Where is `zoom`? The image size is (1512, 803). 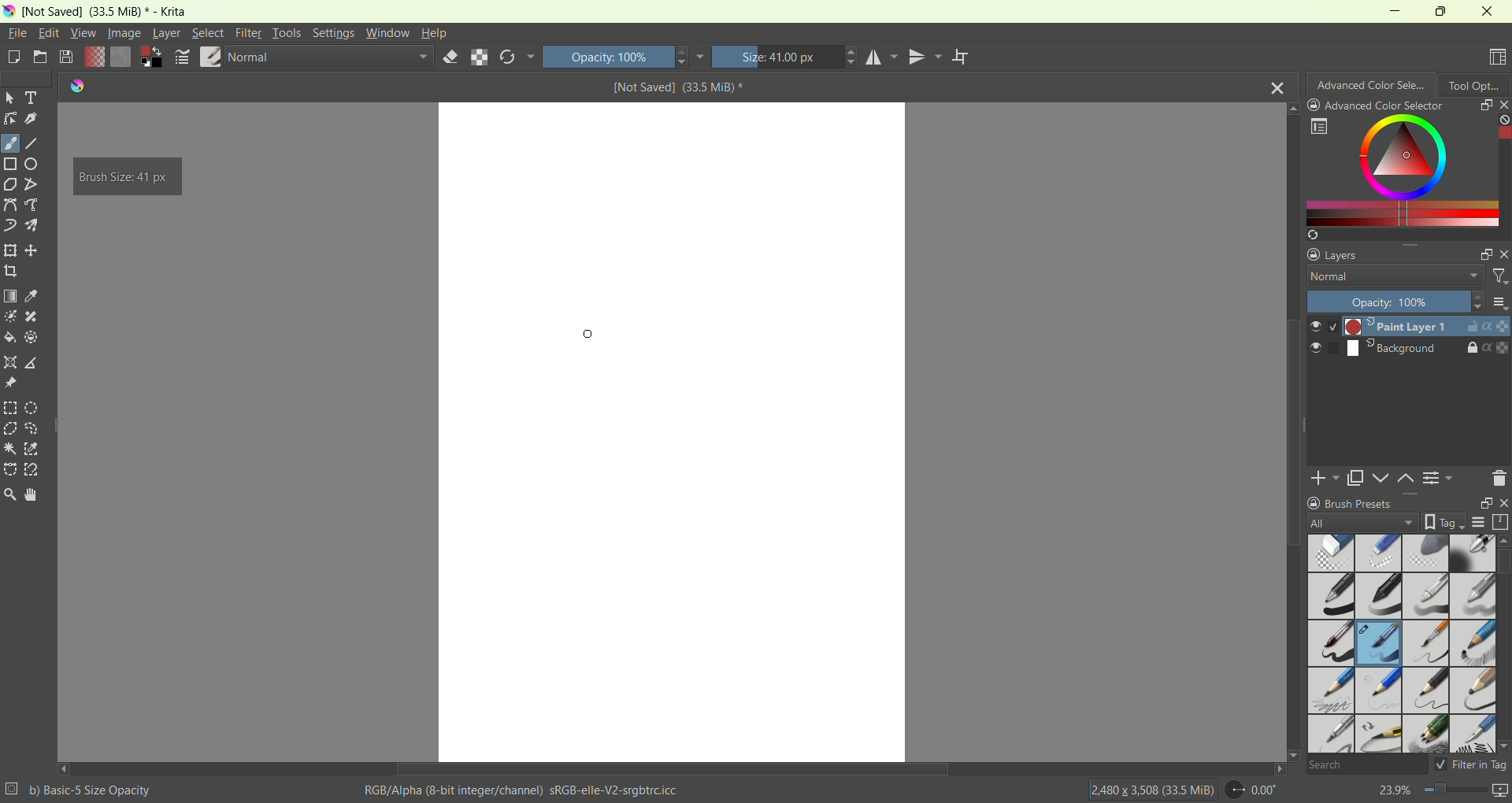
zoom is located at coordinates (9, 494).